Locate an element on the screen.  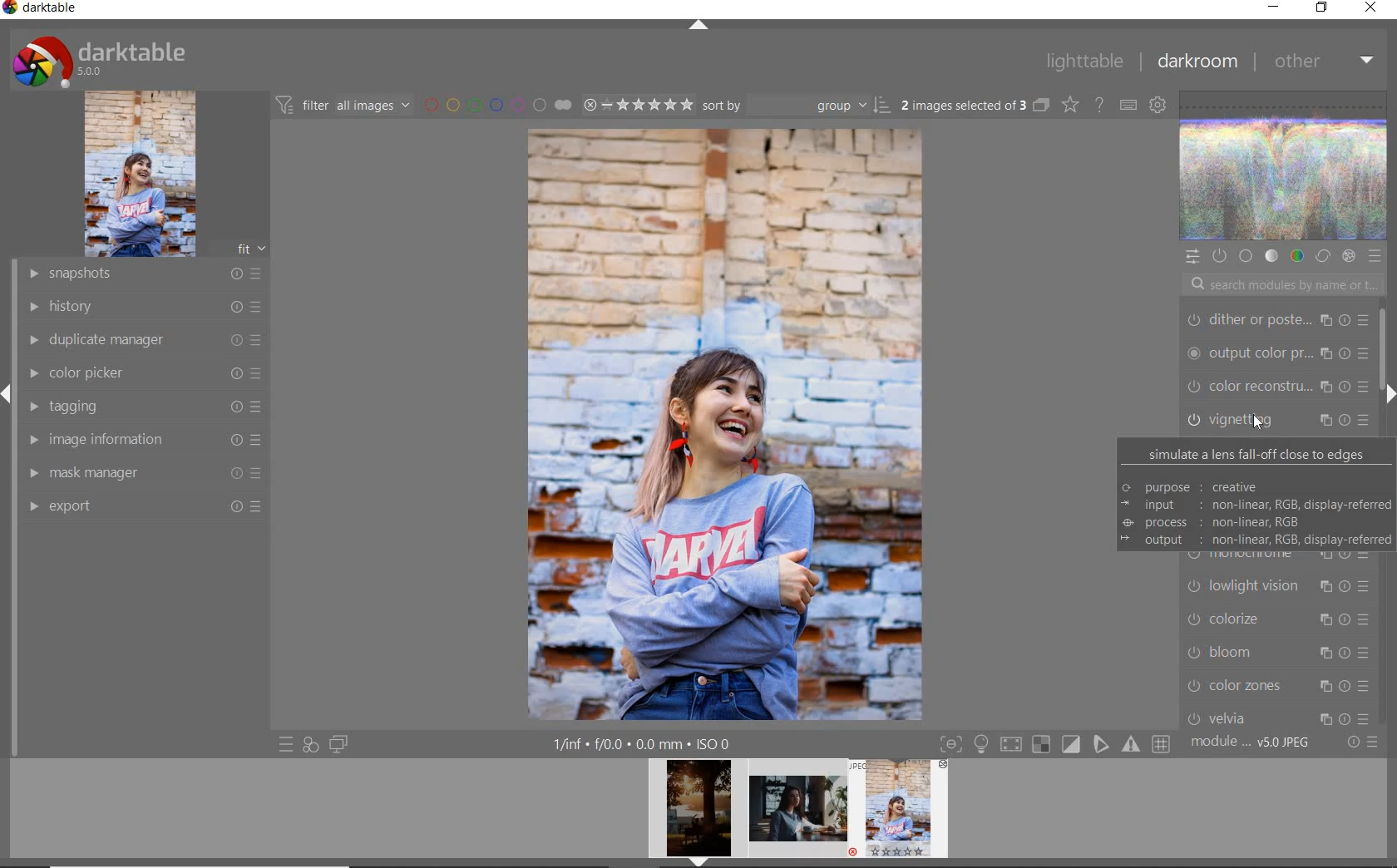
display a second darkroom image window is located at coordinates (339, 744).